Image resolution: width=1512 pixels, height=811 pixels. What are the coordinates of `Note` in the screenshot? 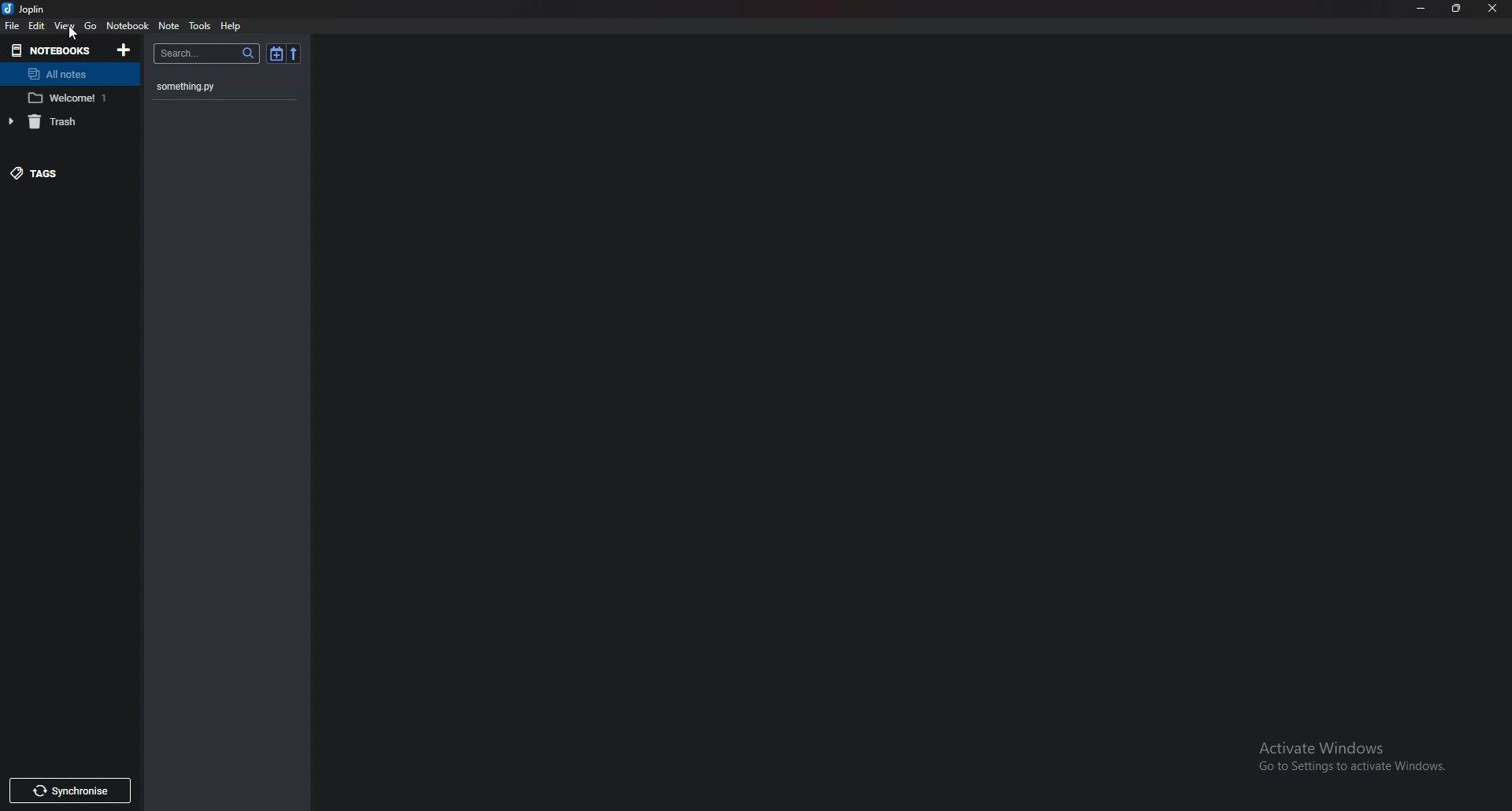 It's located at (170, 25).